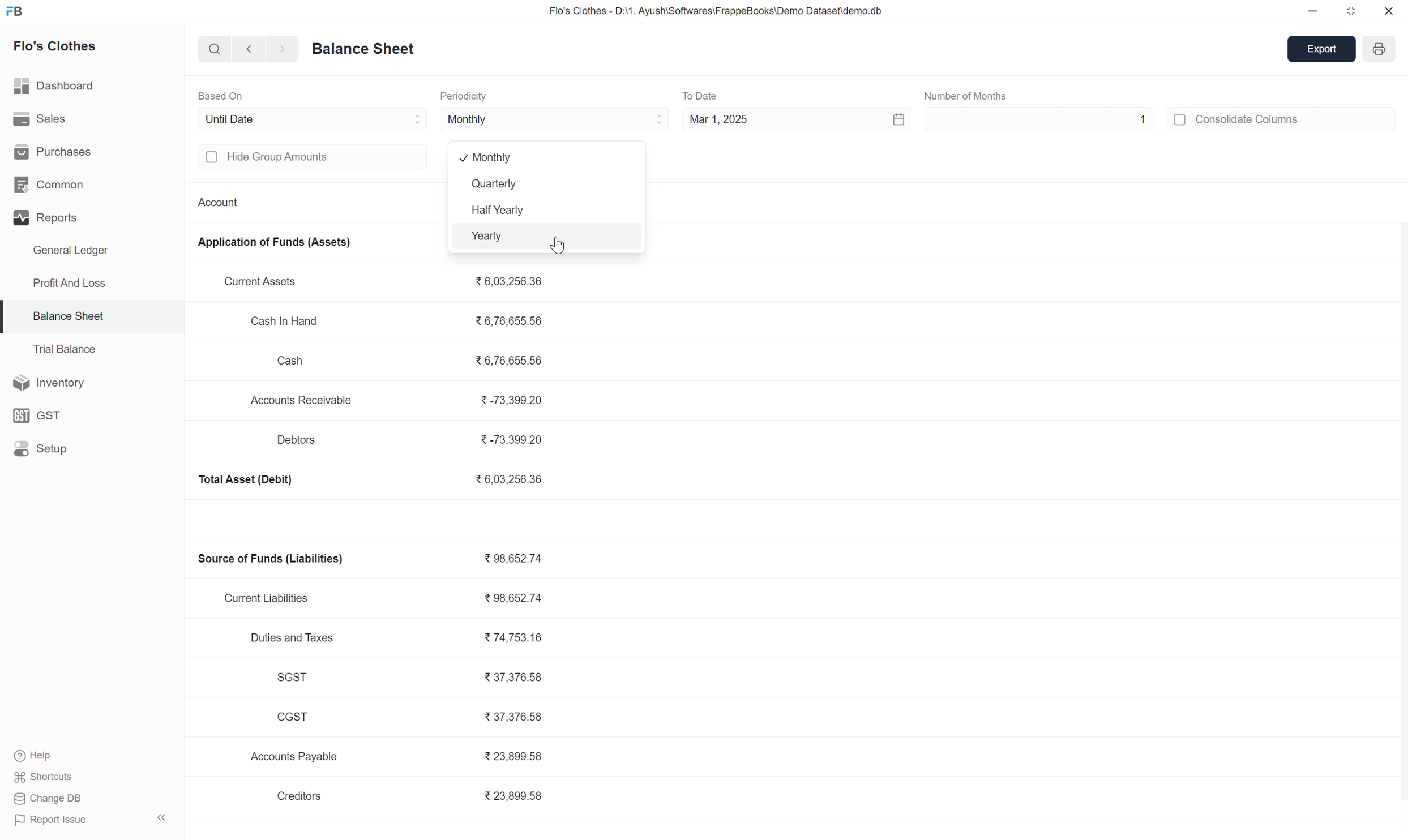 This screenshot has height=840, width=1408. I want to click on Application of Funds (Assets), so click(274, 242).